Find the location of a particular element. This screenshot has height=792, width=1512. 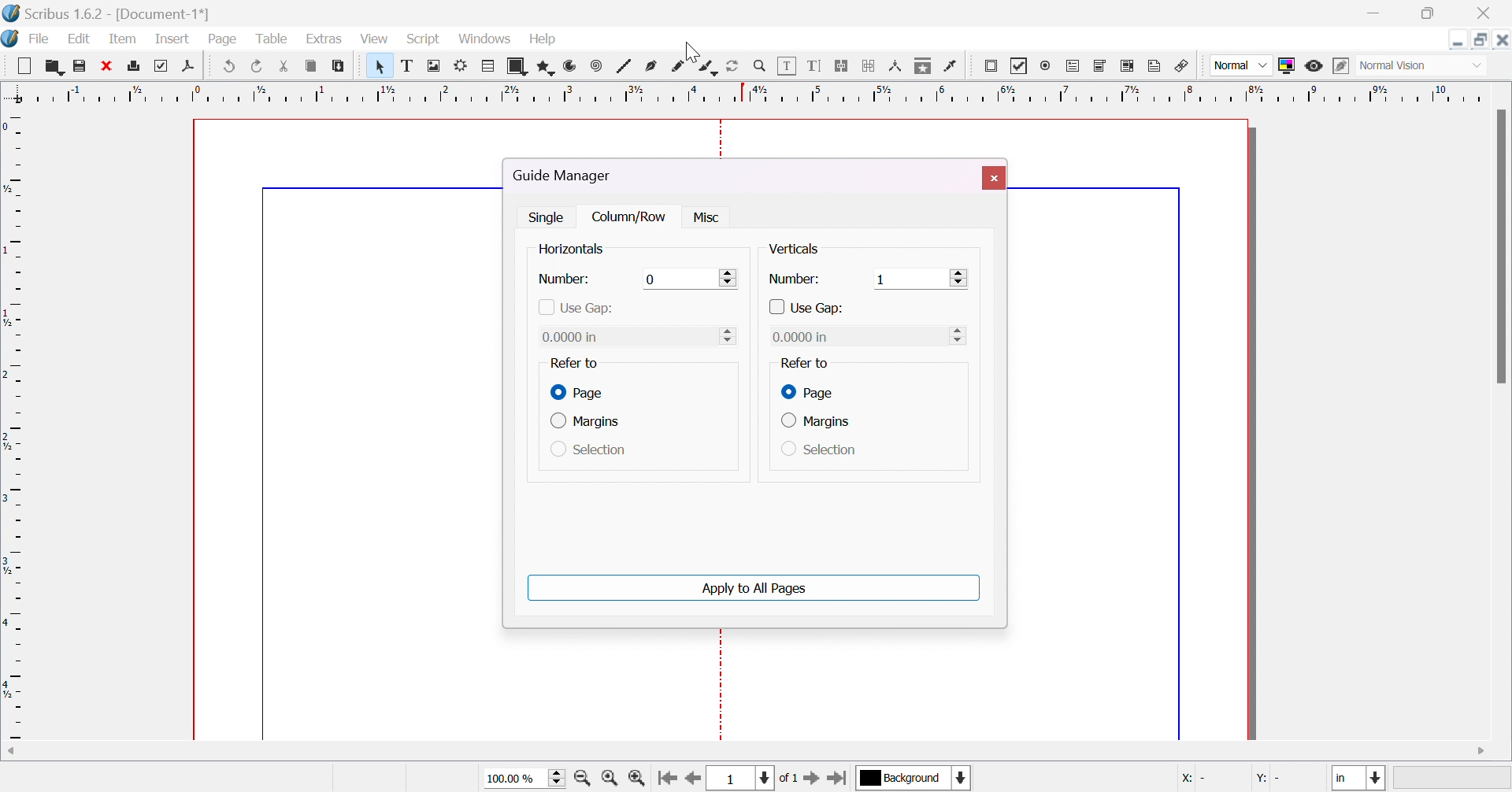

open is located at coordinates (53, 65).